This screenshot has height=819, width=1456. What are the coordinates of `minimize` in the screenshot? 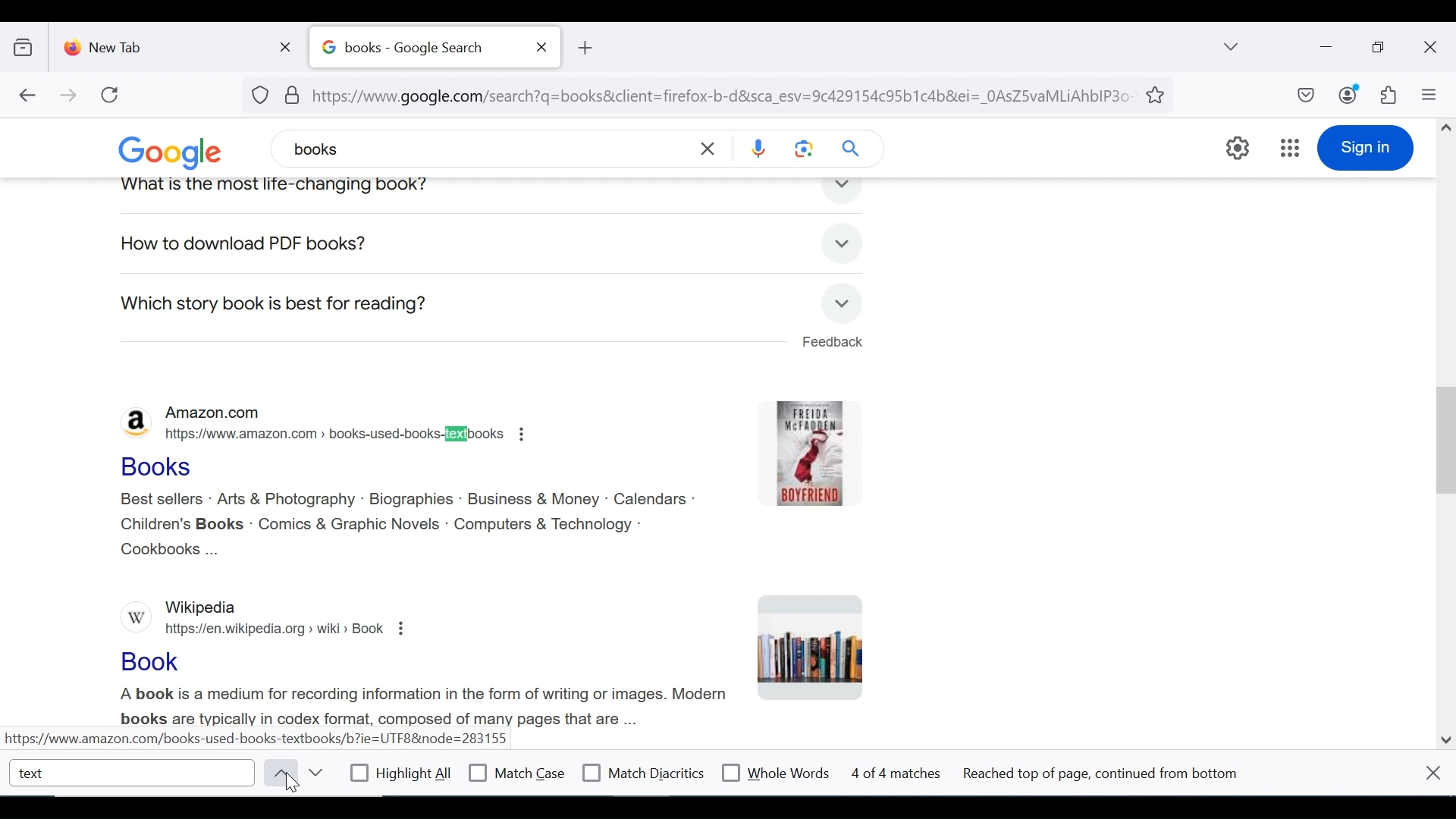 It's located at (1324, 45).